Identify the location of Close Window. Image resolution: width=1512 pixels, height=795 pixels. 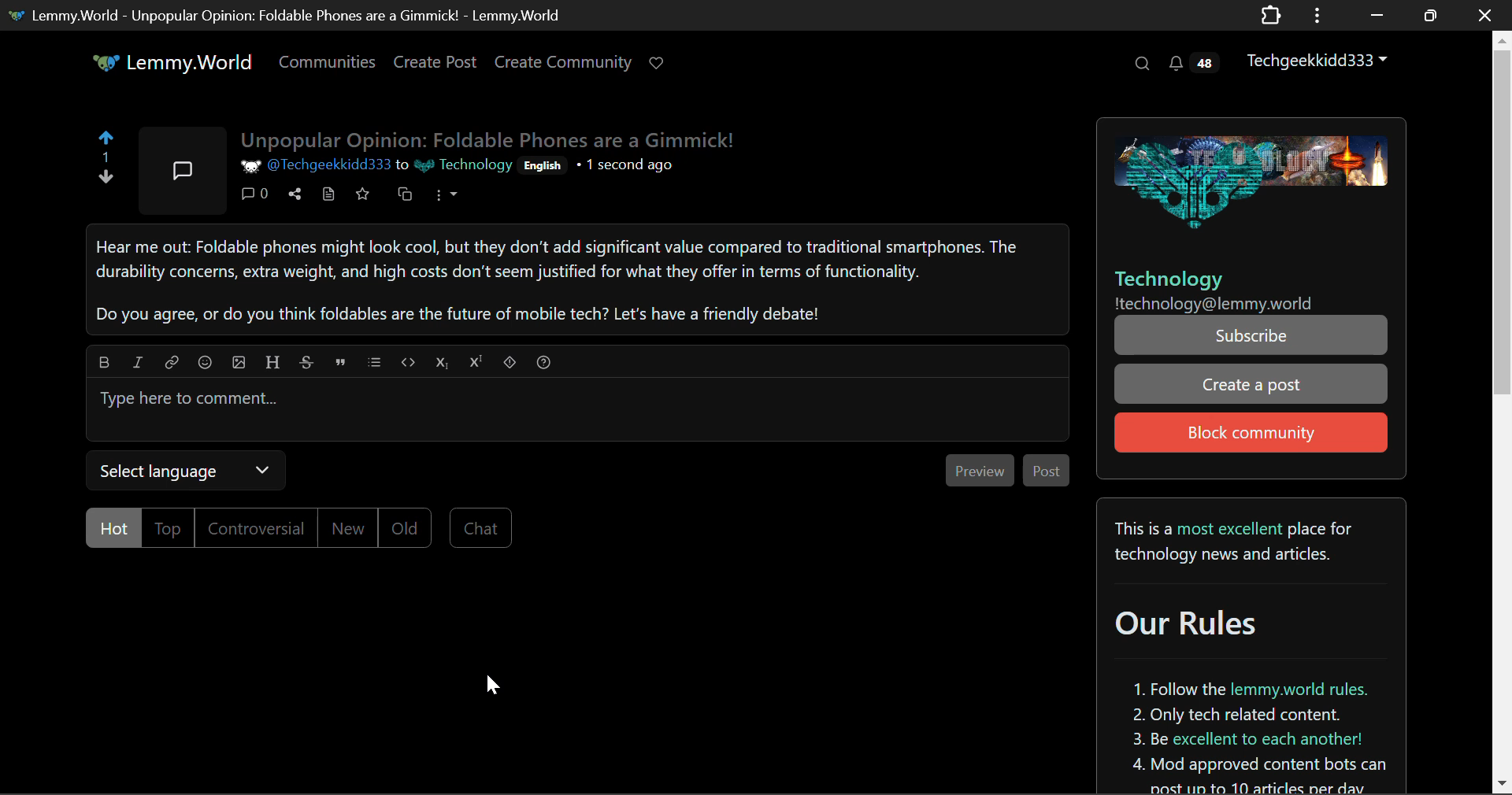
(1485, 14).